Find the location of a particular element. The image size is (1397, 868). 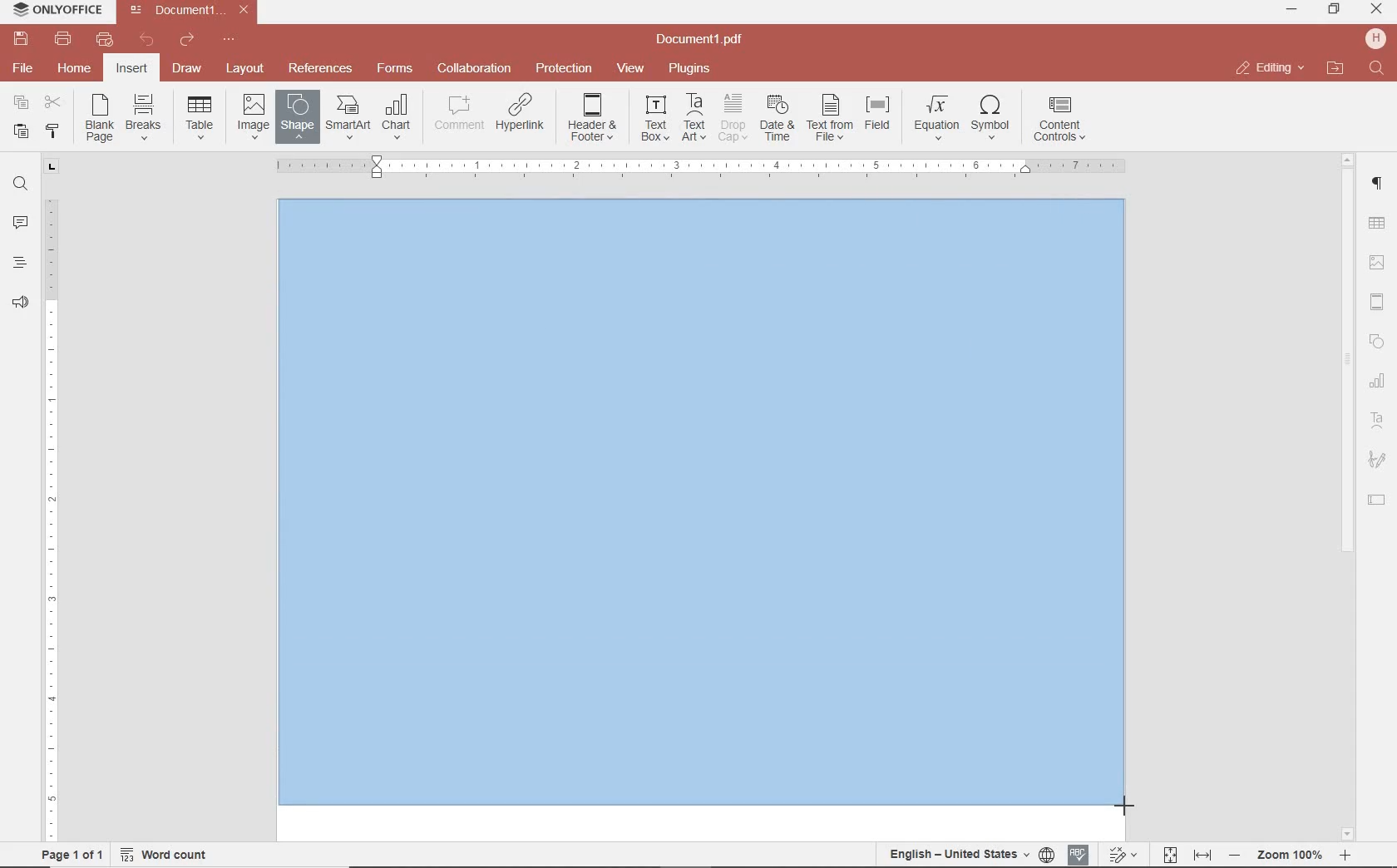

comments is located at coordinates (20, 224).